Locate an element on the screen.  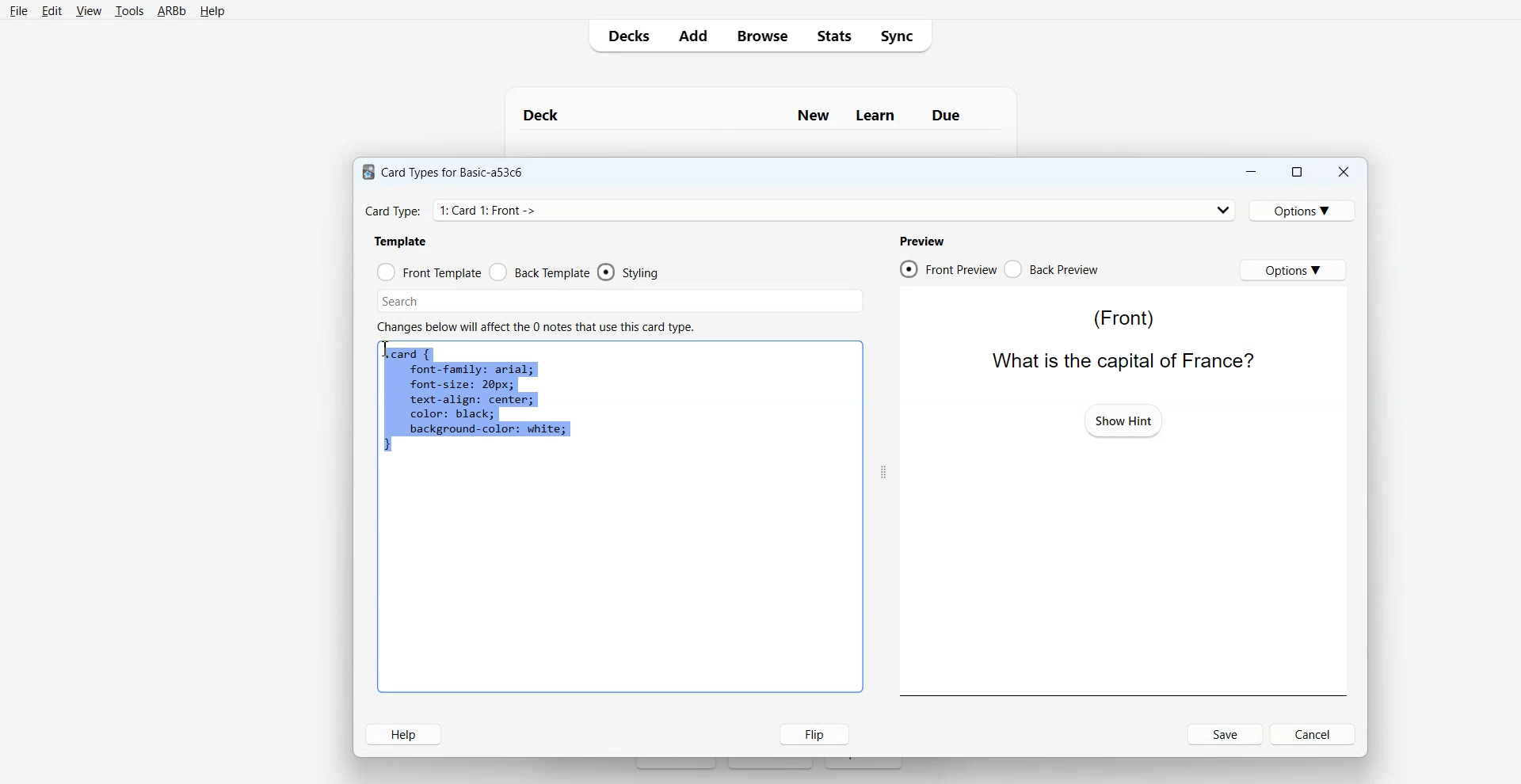
Show Hint is located at coordinates (1123, 420).